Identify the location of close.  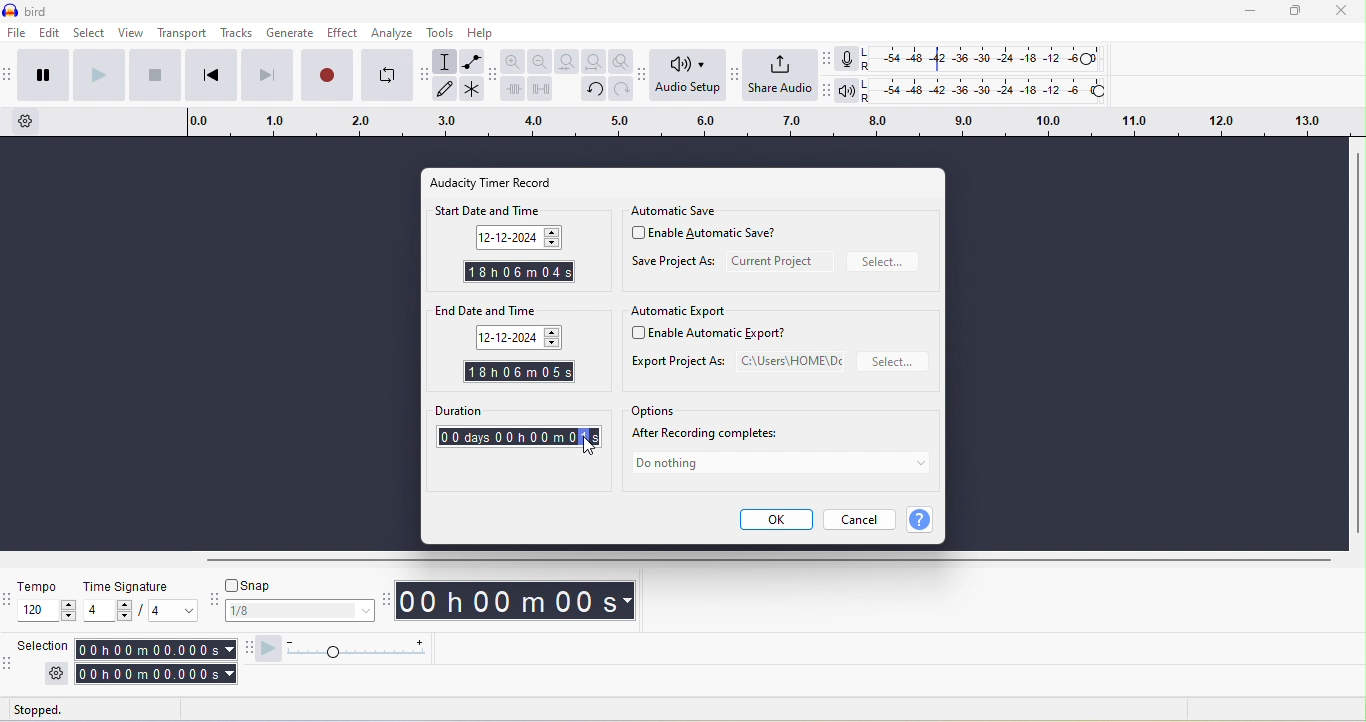
(1341, 13).